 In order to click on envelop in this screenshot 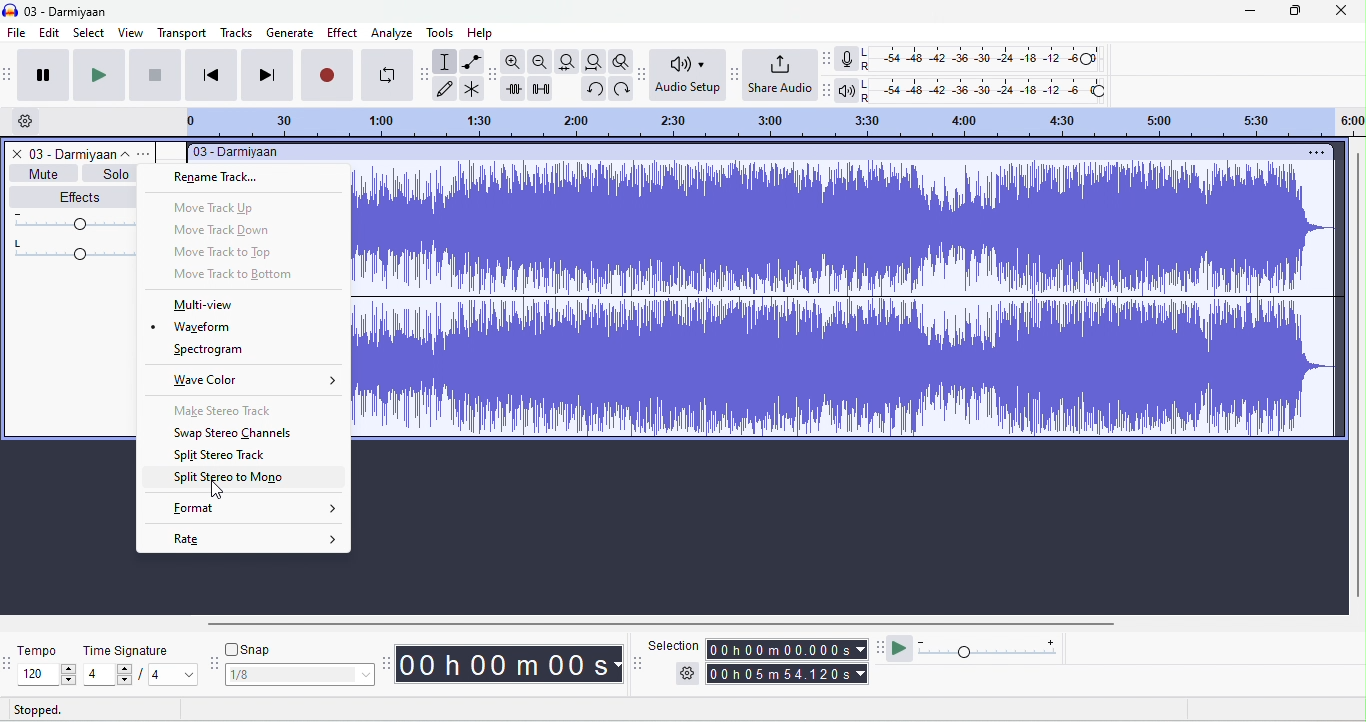, I will do `click(476, 62)`.